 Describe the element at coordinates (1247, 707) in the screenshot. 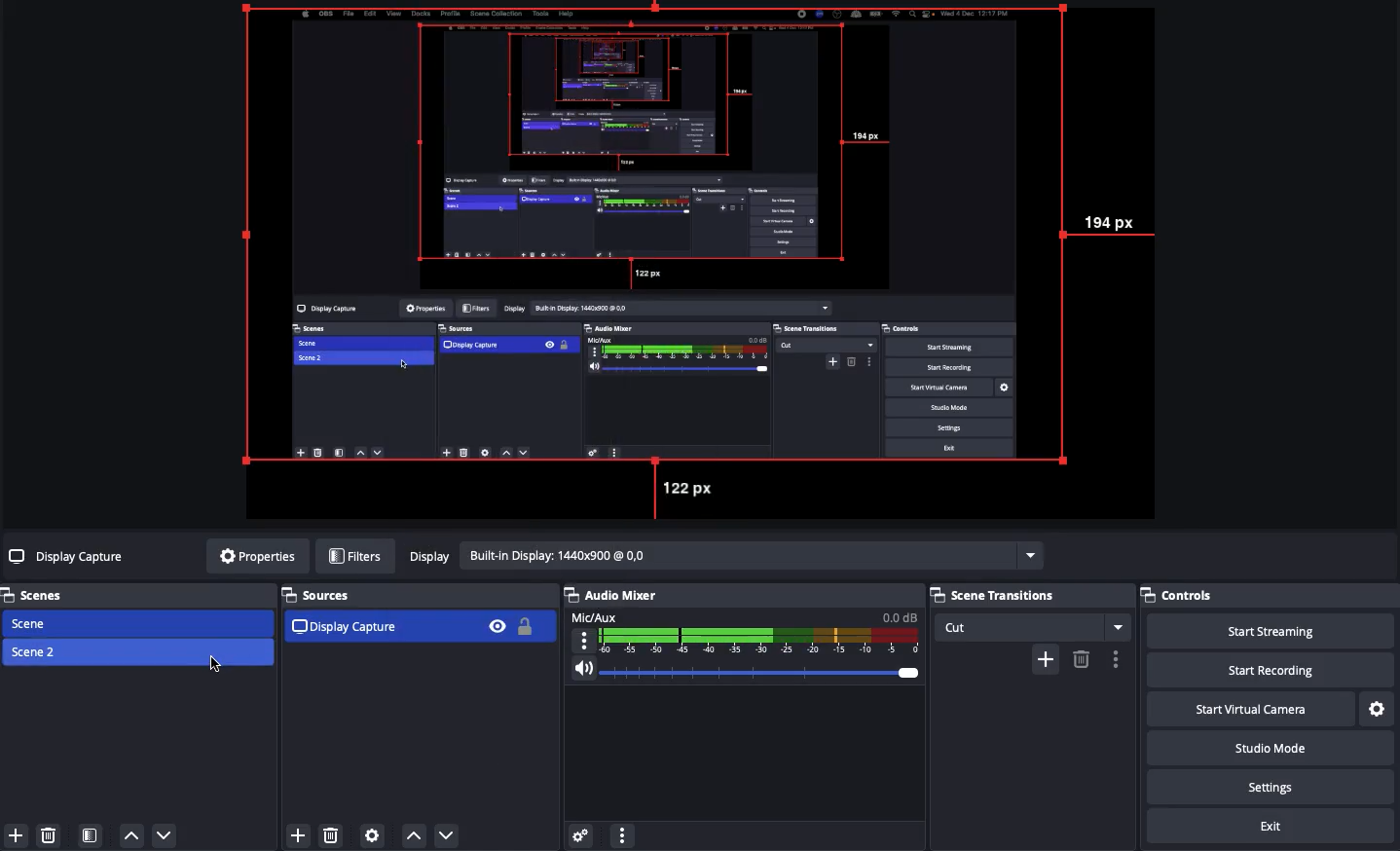

I see `Start virtual camera` at that location.